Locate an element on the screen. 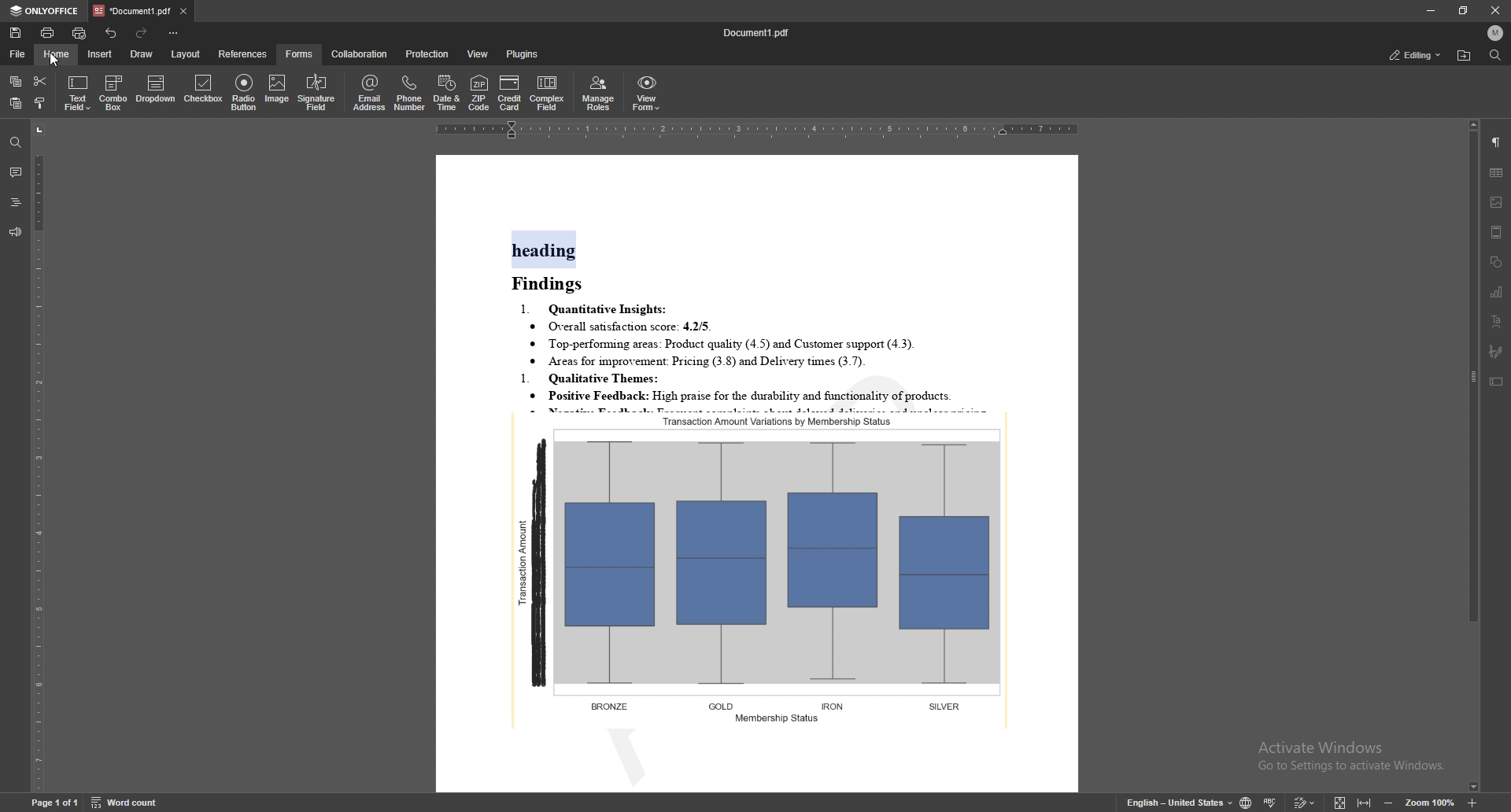 This screenshot has width=1511, height=812. English- United kingdom is located at coordinates (1170, 803).